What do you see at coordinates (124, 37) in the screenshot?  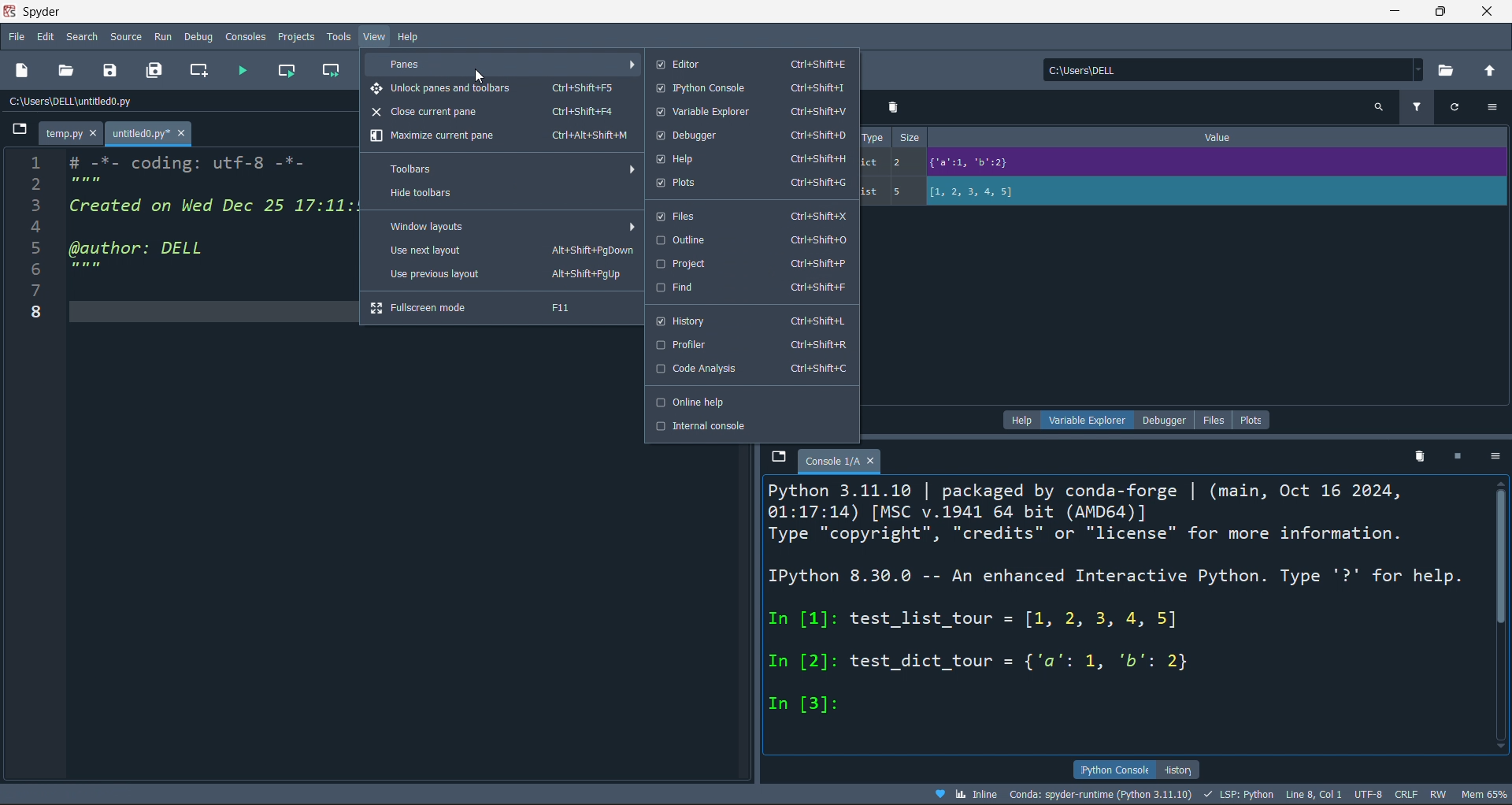 I see `source` at bounding box center [124, 37].